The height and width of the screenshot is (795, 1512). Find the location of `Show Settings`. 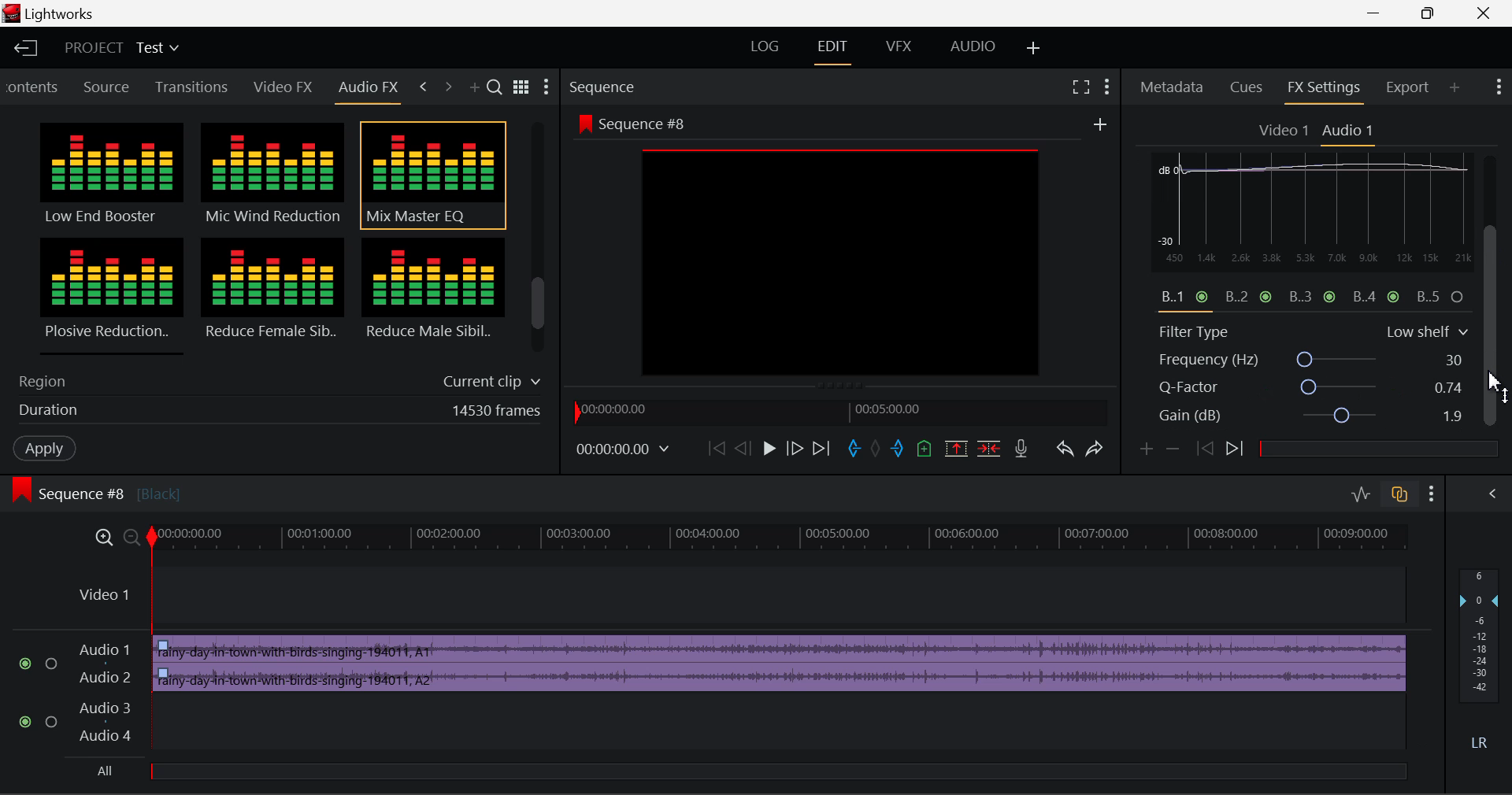

Show Settings is located at coordinates (1107, 87).